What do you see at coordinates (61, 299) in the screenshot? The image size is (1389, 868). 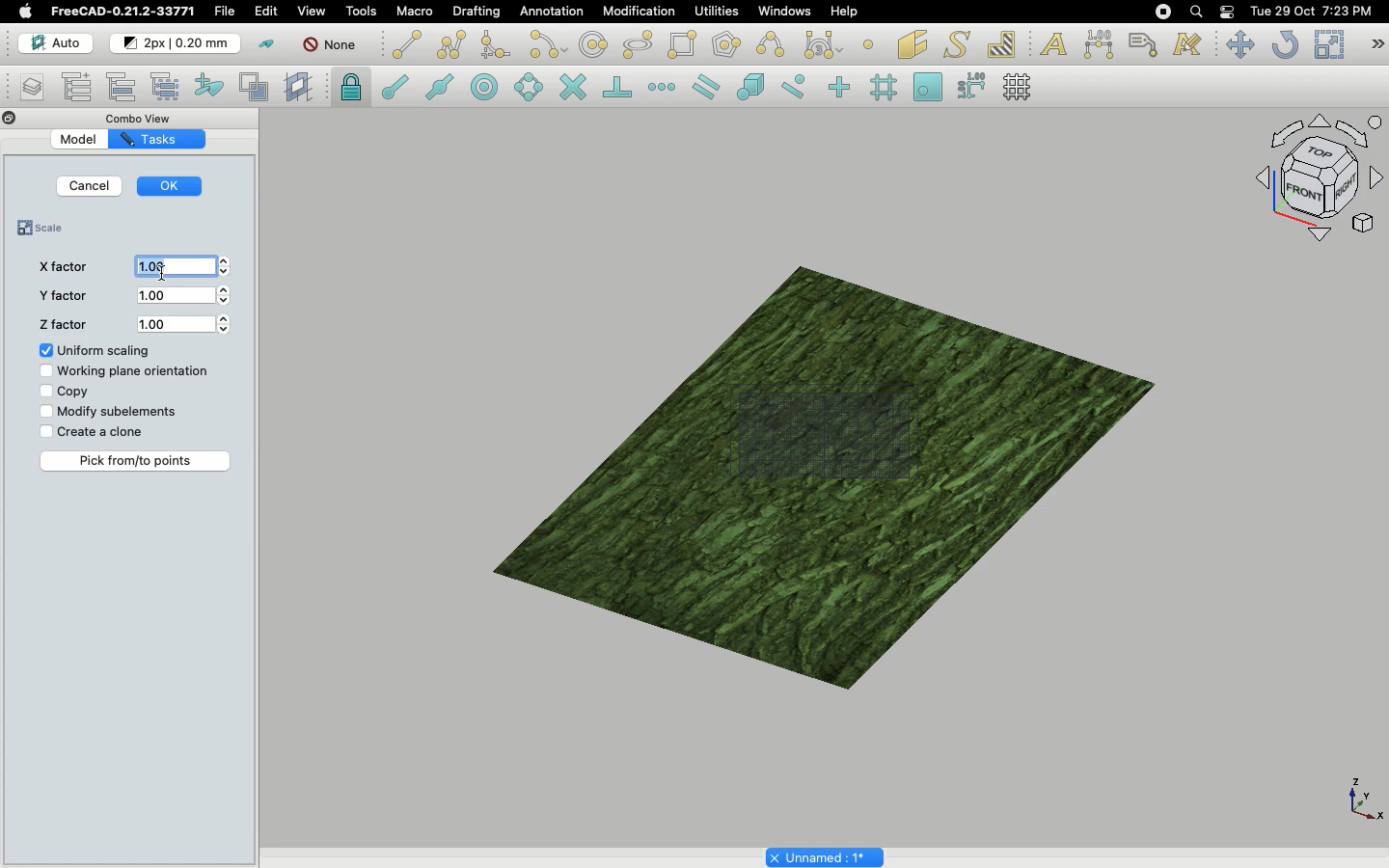 I see `Y factor` at bounding box center [61, 299].